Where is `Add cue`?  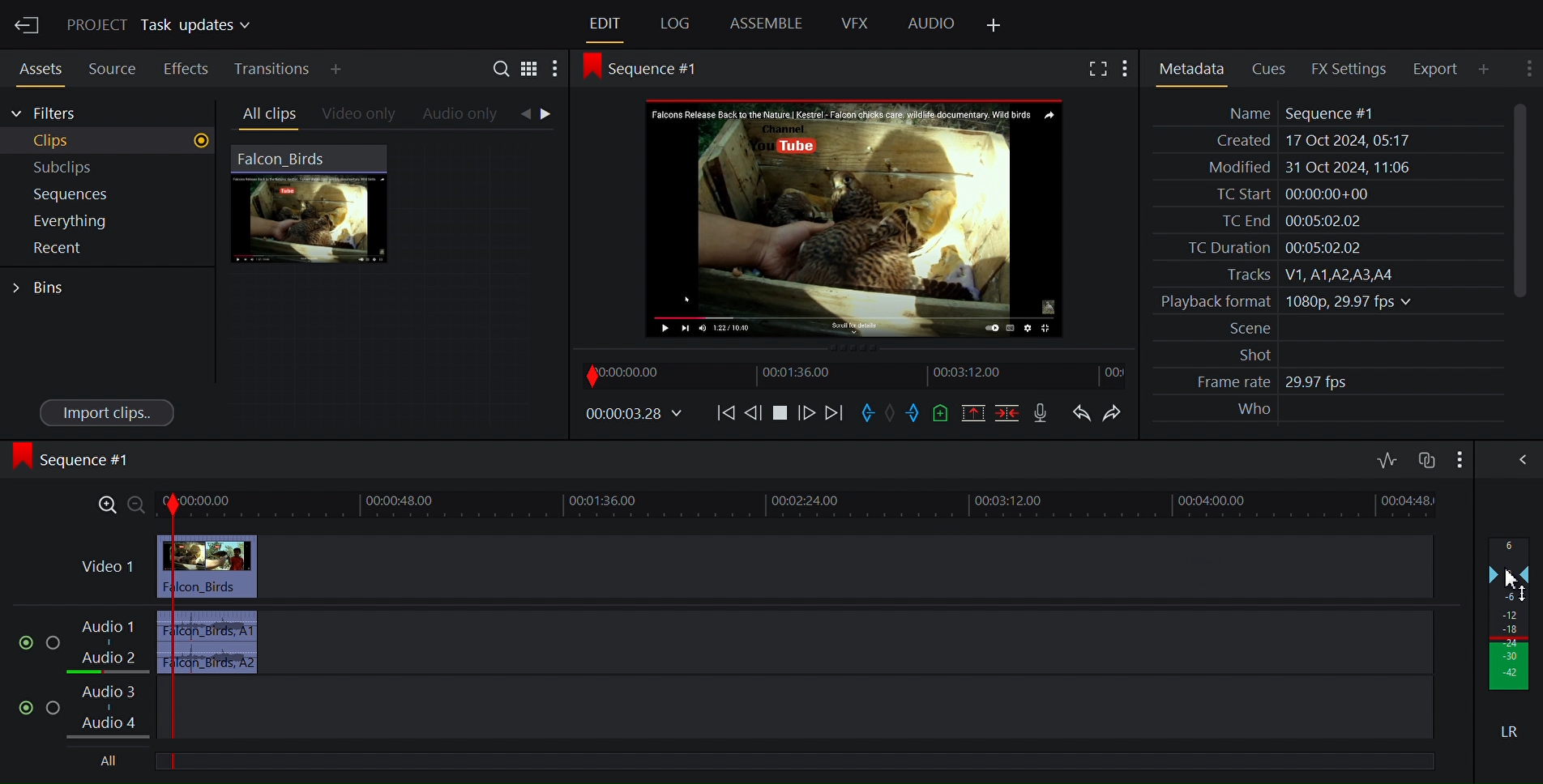
Add cue is located at coordinates (942, 413).